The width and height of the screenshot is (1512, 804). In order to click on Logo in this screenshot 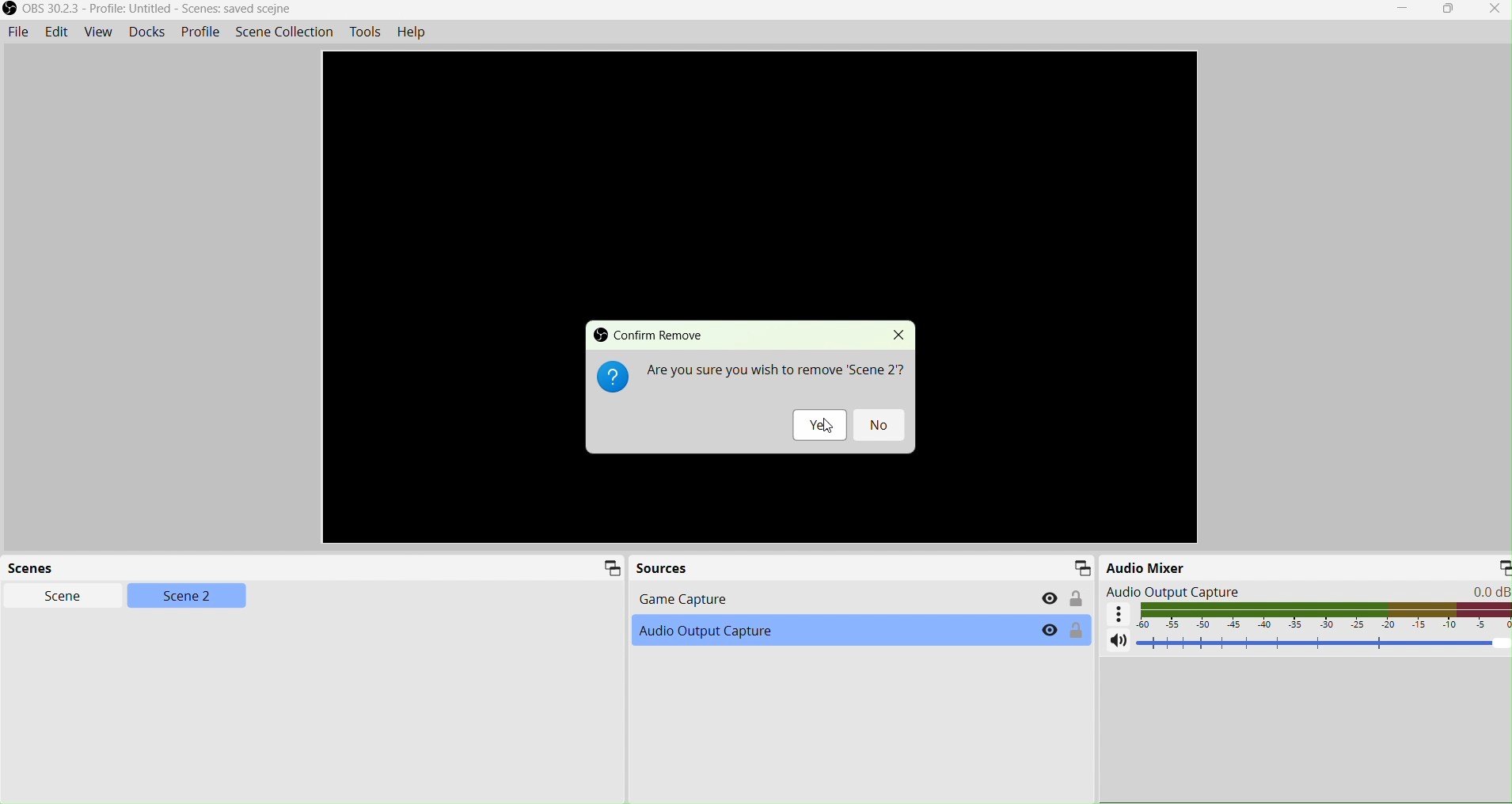, I will do `click(612, 377)`.